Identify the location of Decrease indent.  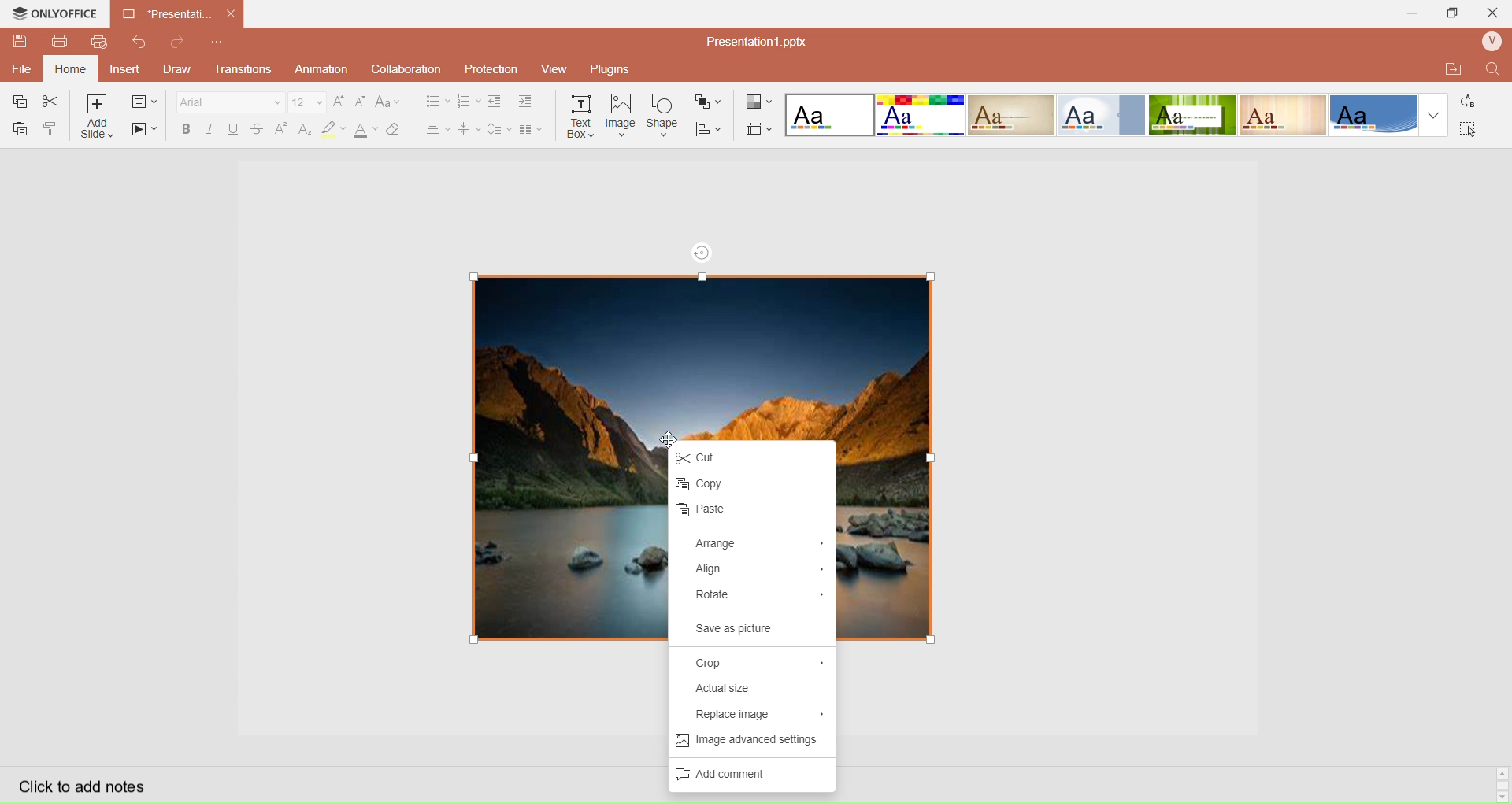
(498, 102).